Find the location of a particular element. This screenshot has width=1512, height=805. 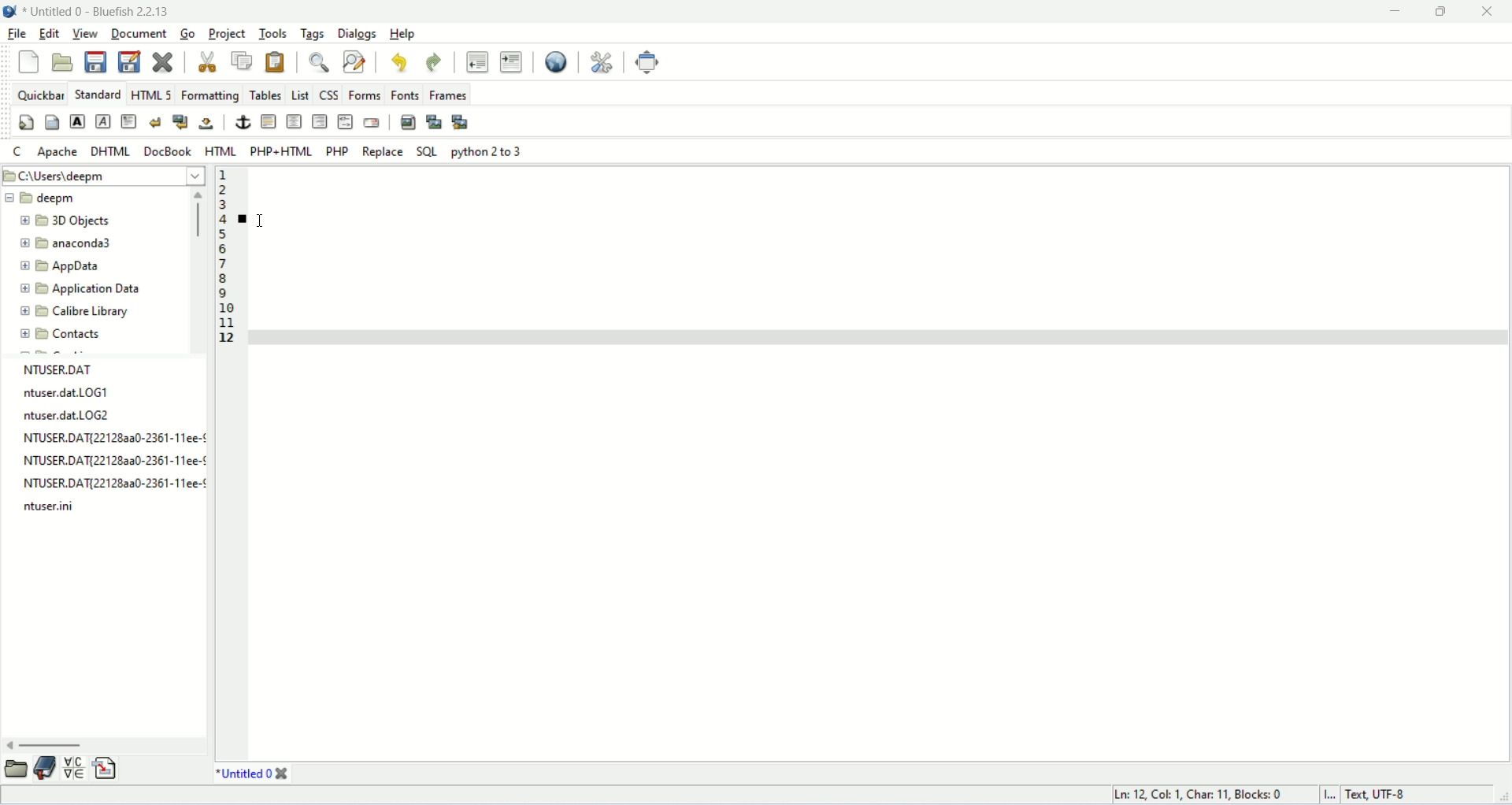

Ln, col, char, block is located at coordinates (1196, 796).